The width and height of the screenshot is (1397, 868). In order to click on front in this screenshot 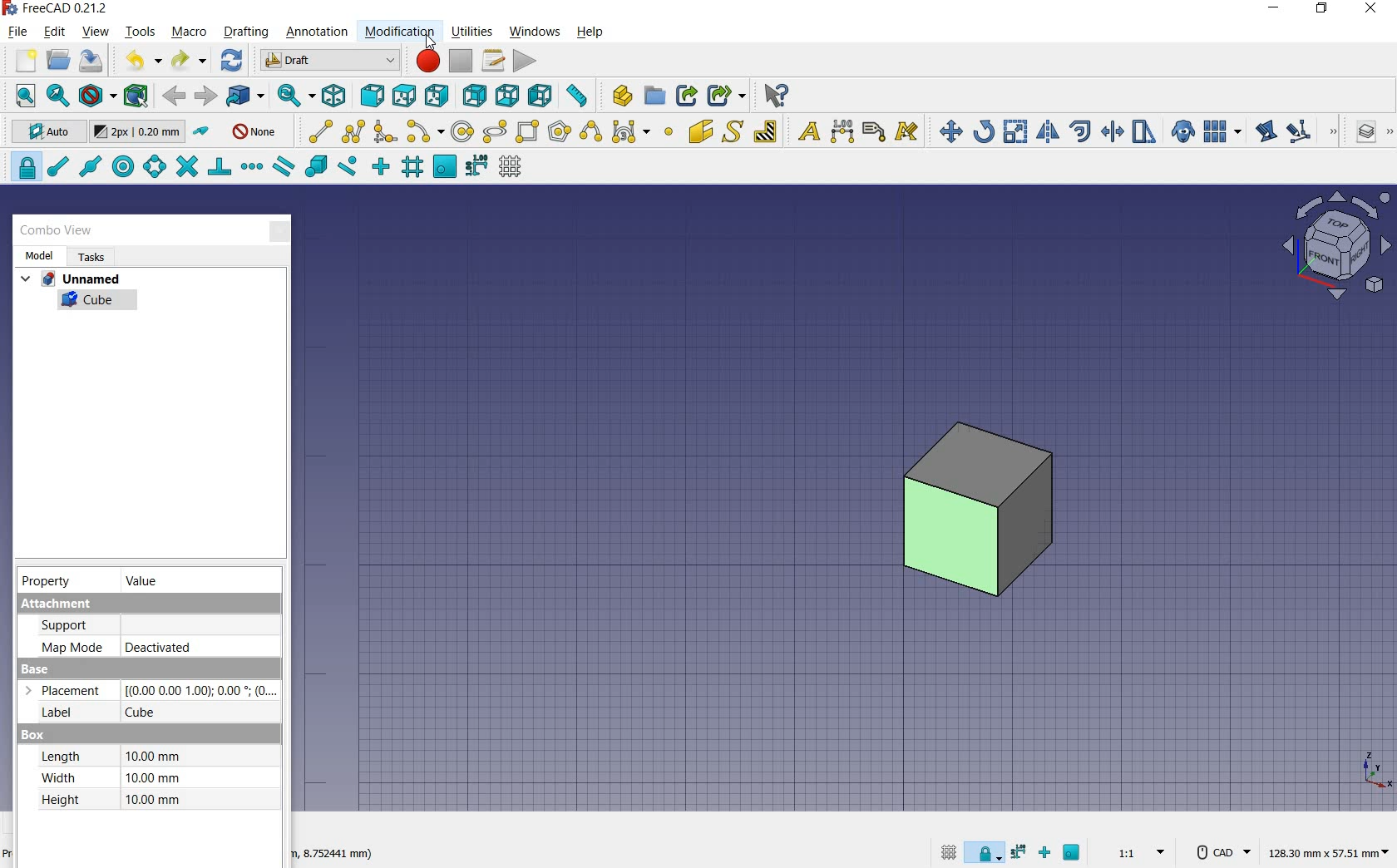, I will do `click(371, 96)`.